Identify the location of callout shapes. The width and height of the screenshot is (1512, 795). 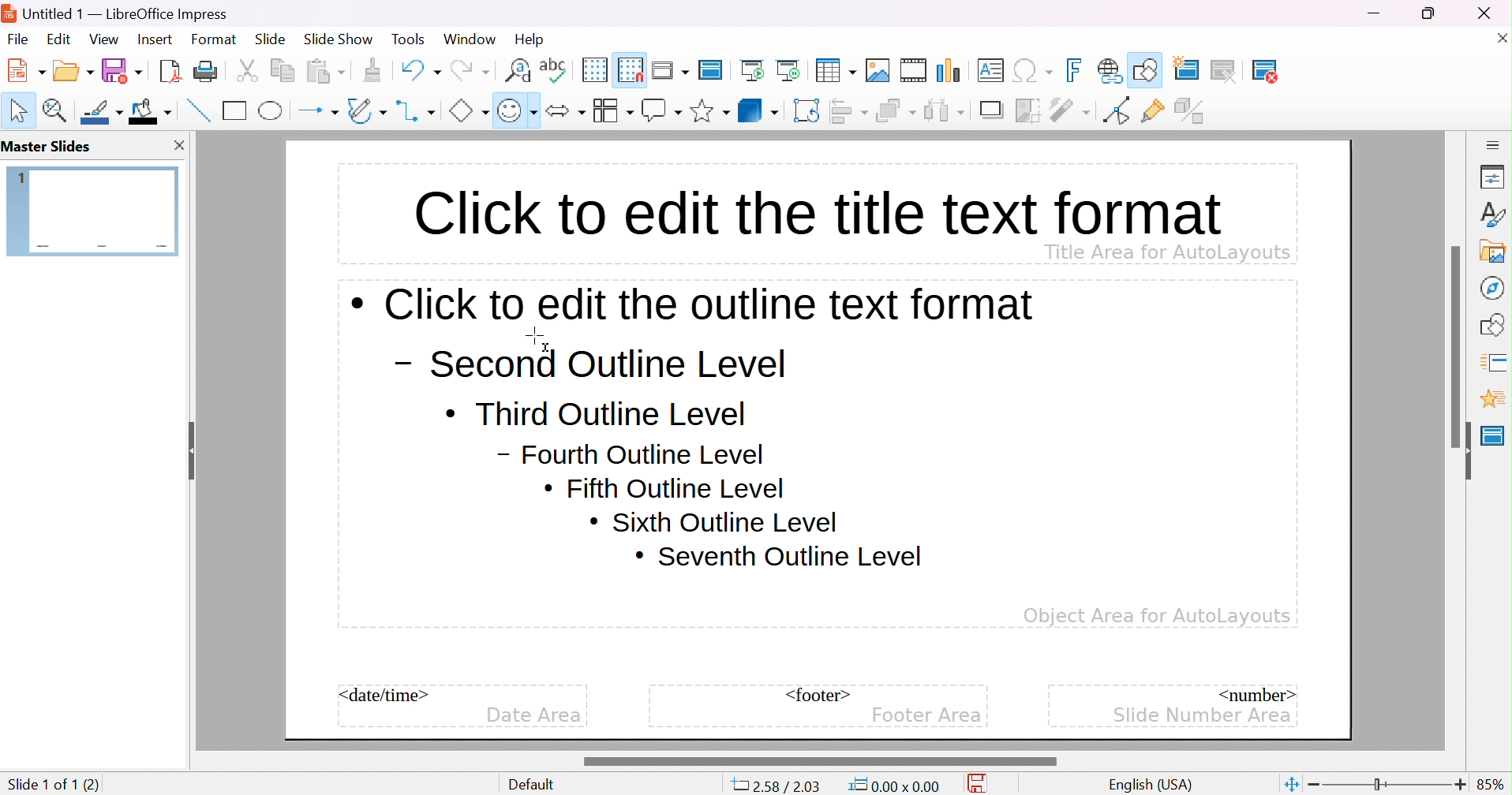
(661, 110).